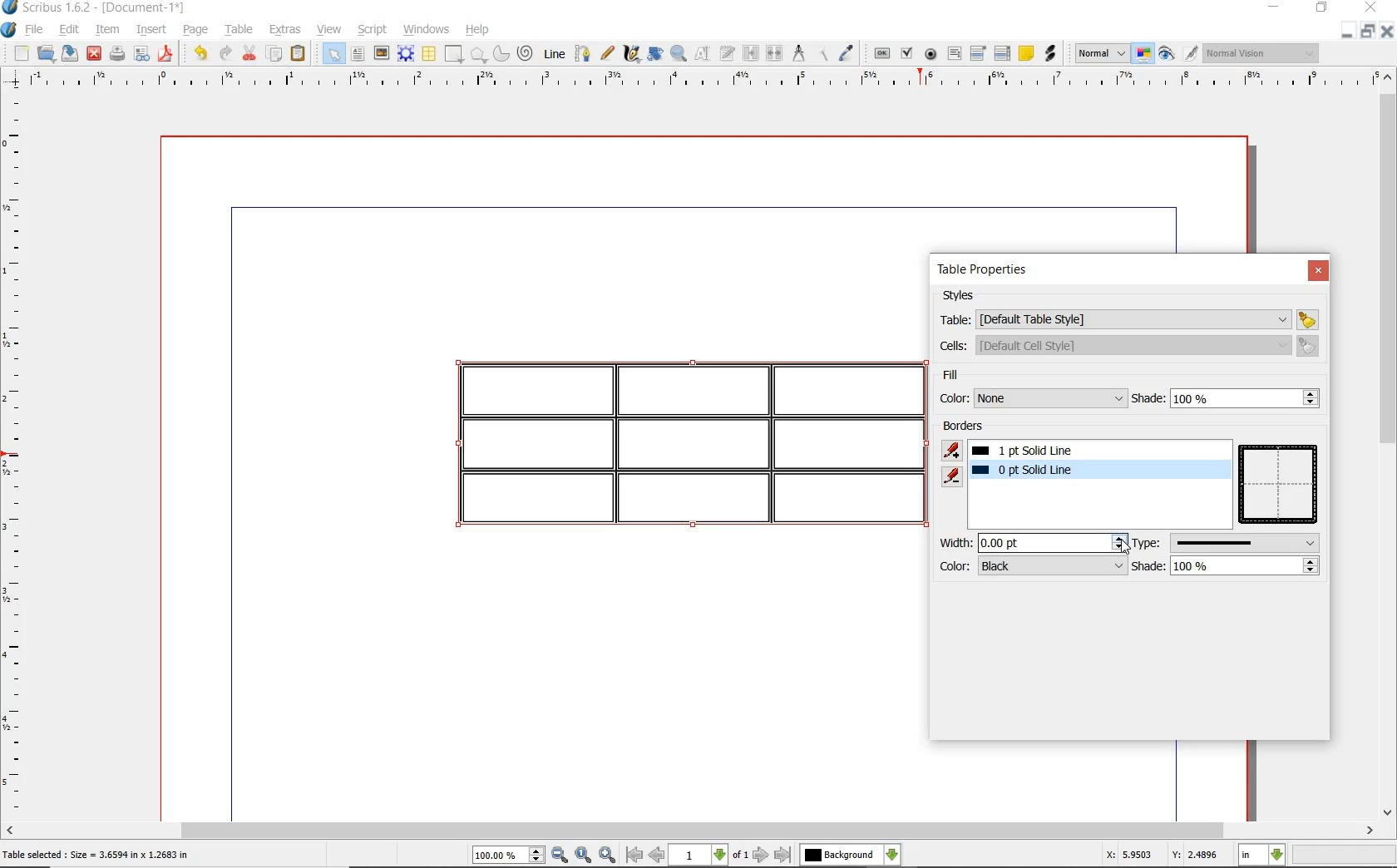 Image resolution: width=1397 pixels, height=868 pixels. Describe the element at coordinates (286, 31) in the screenshot. I see `extras` at that location.